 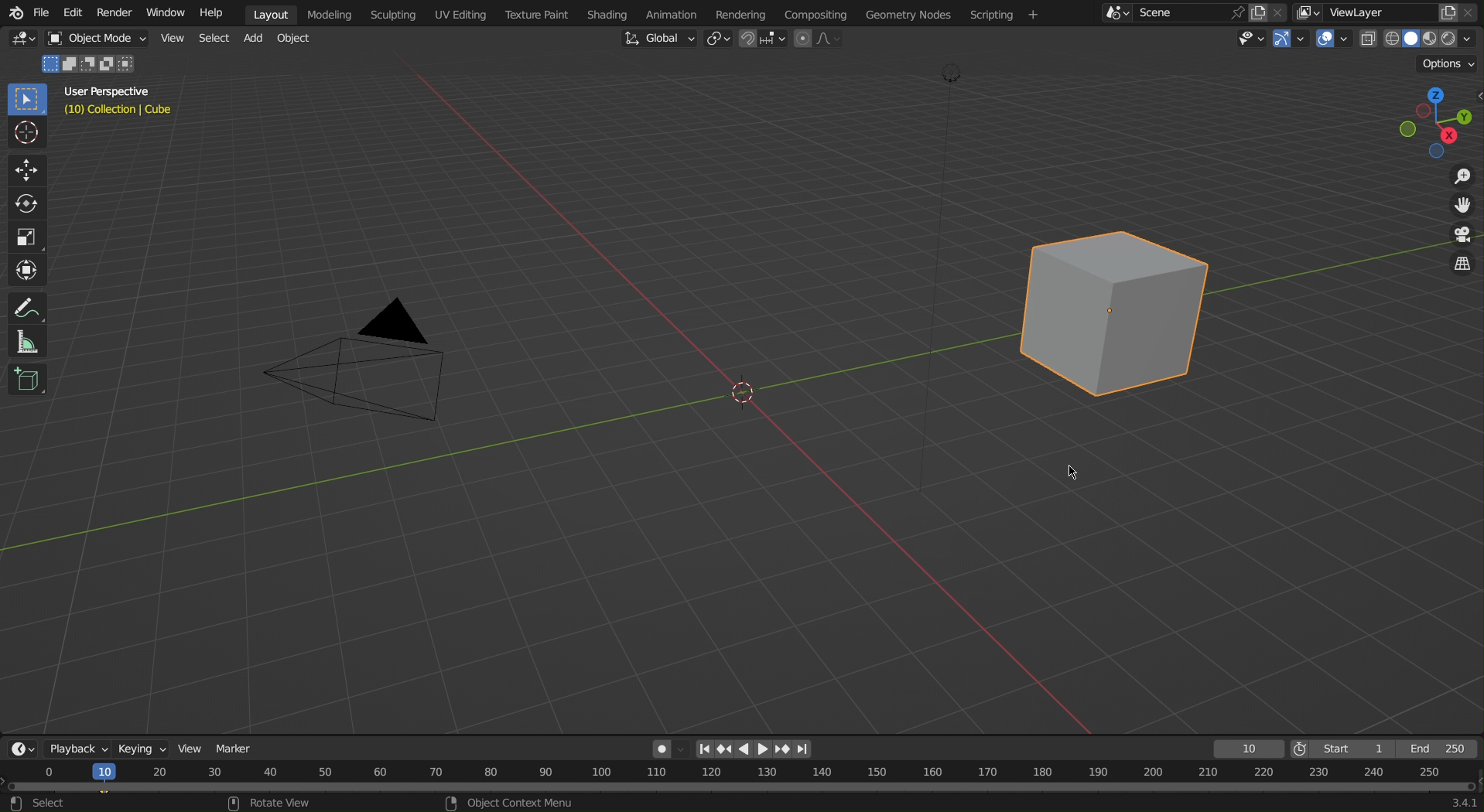 What do you see at coordinates (1117, 305) in the screenshot?
I see `Cube` at bounding box center [1117, 305].